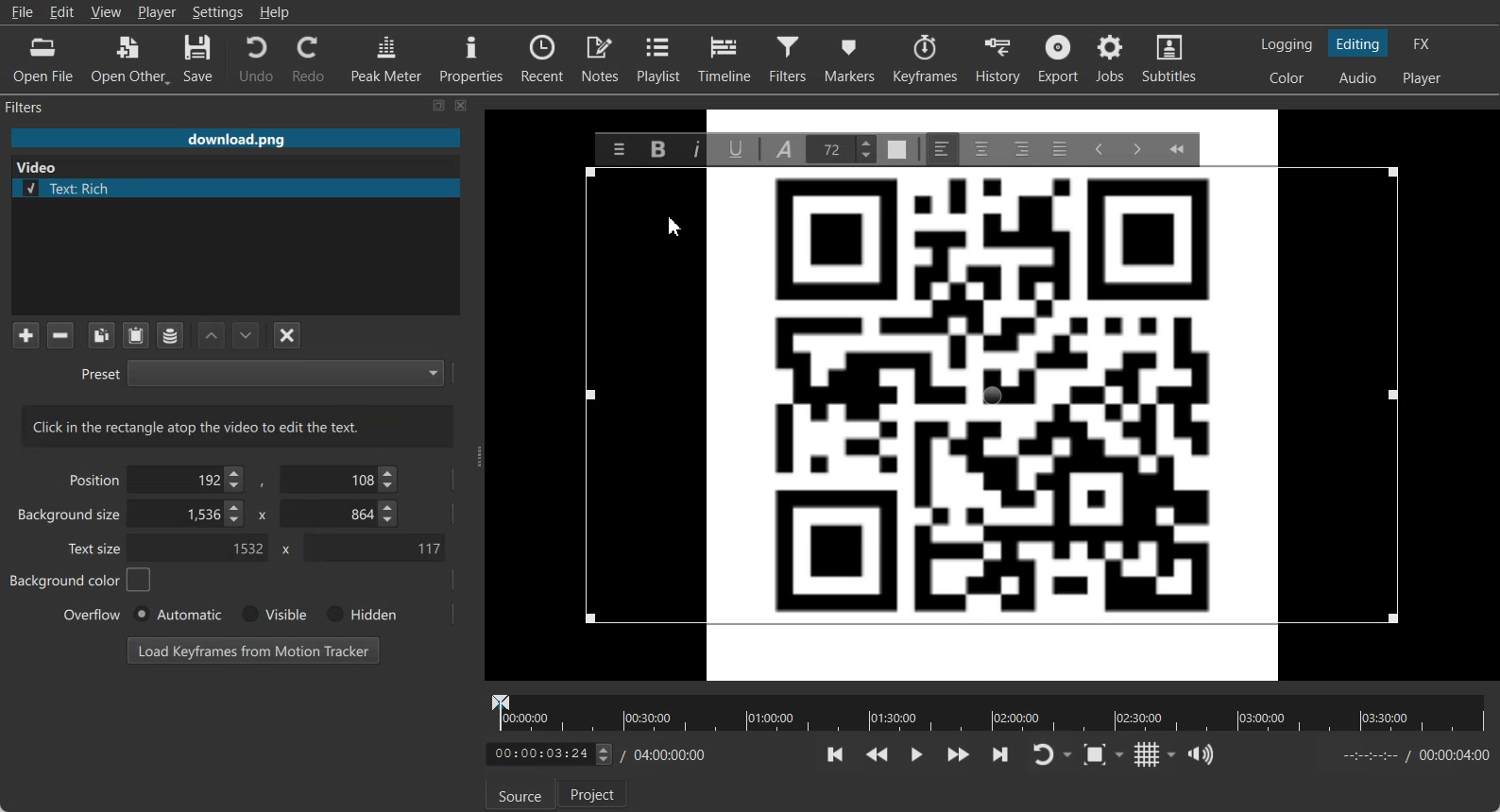 This screenshot has width=1500, height=812. Describe the element at coordinates (981, 148) in the screenshot. I see `Center` at that location.